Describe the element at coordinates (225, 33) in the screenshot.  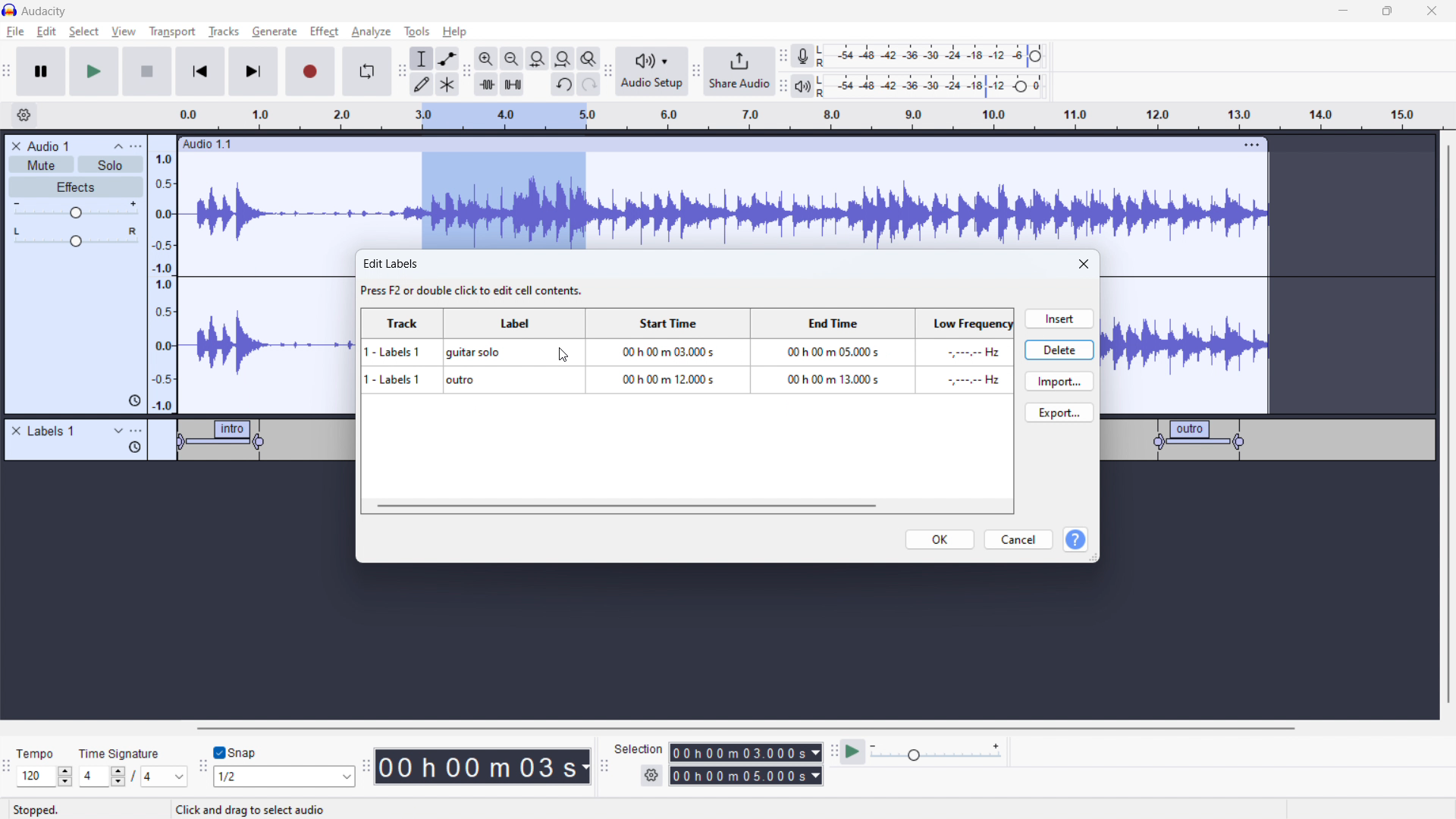
I see `tracks` at that location.